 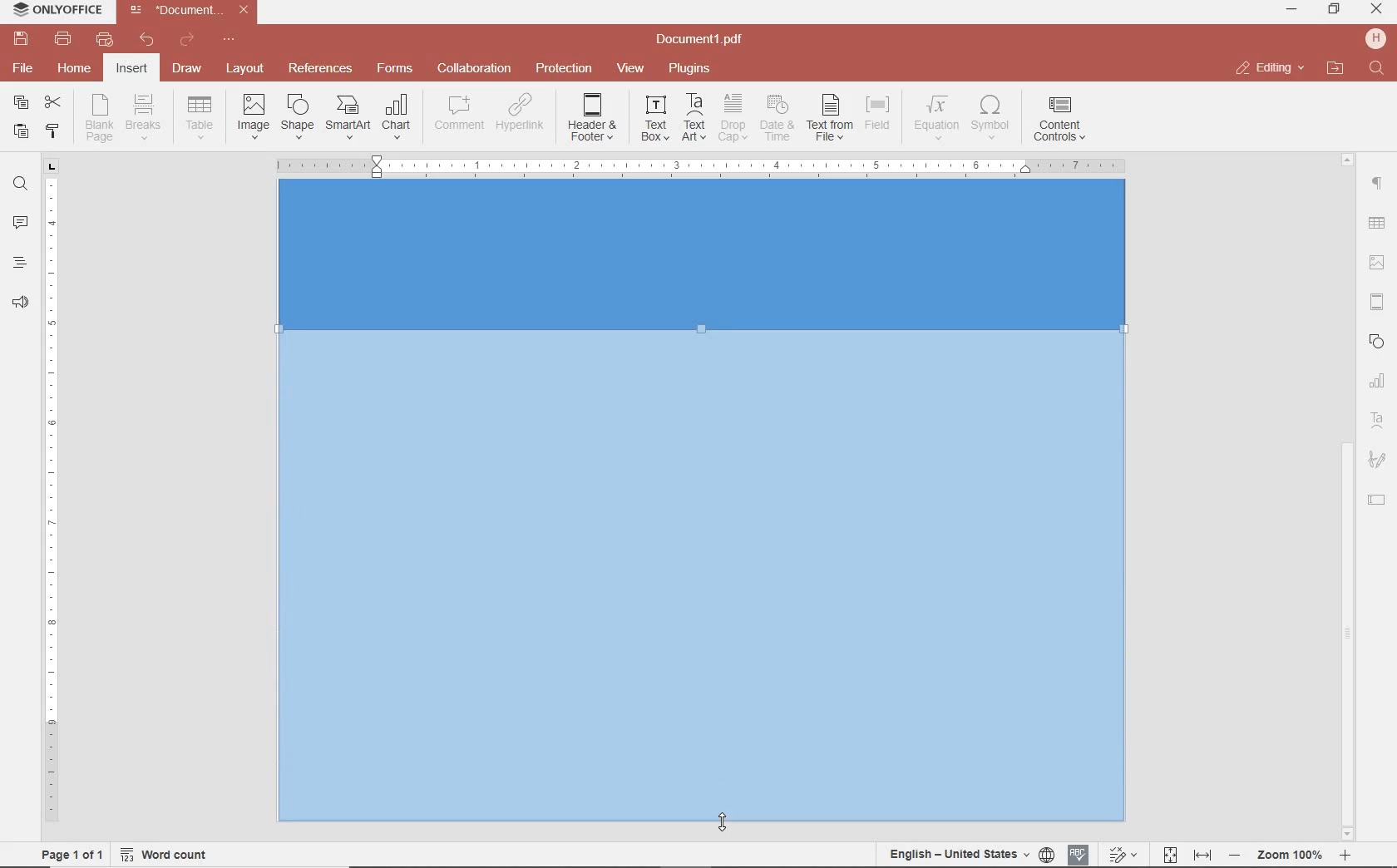 I want to click on INSERT SHAPE, so click(x=296, y=116).